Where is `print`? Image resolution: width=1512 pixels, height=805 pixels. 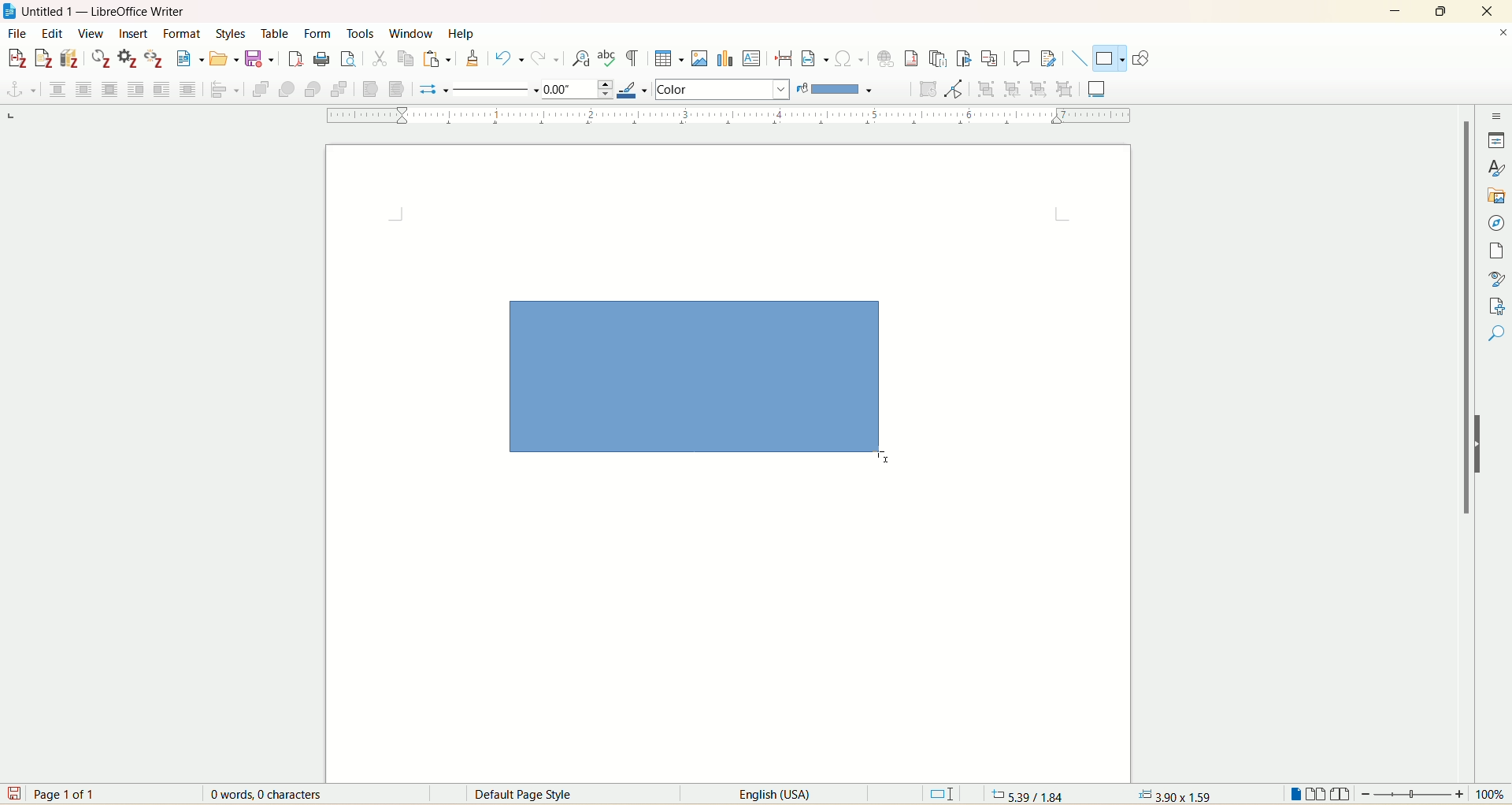
print is located at coordinates (321, 59).